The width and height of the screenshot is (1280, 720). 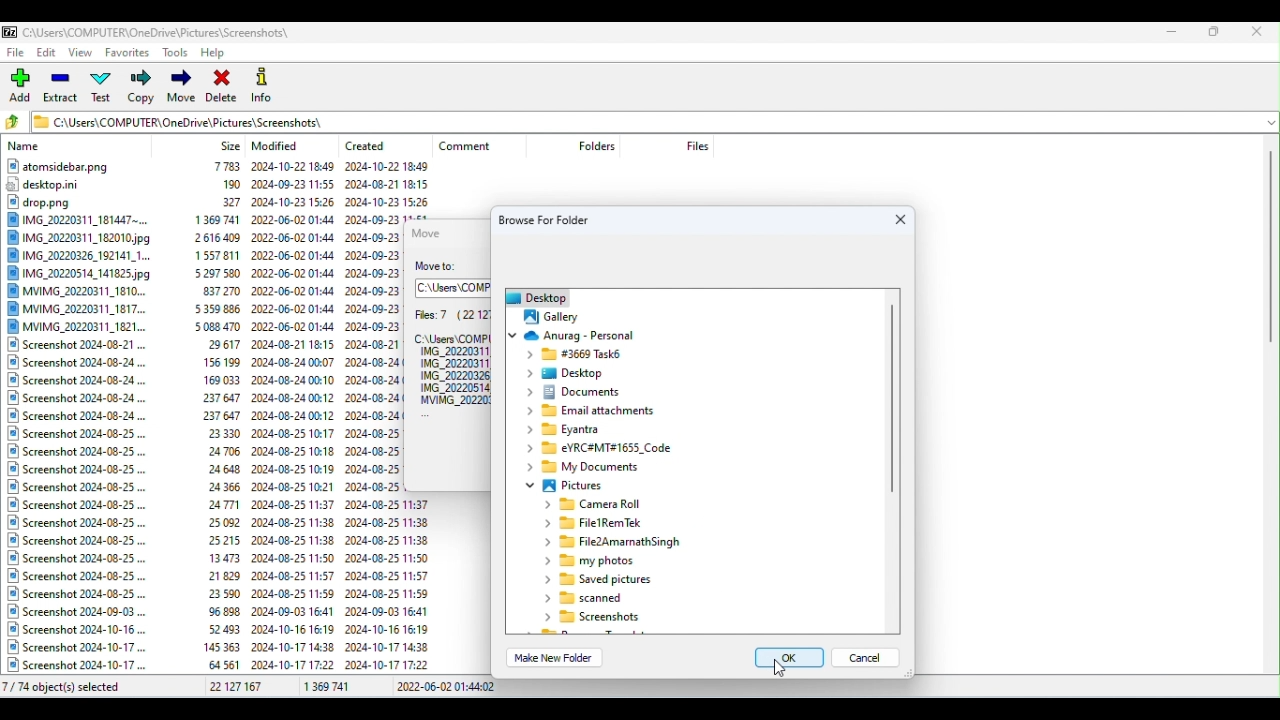 I want to click on Folder, so click(x=600, y=619).